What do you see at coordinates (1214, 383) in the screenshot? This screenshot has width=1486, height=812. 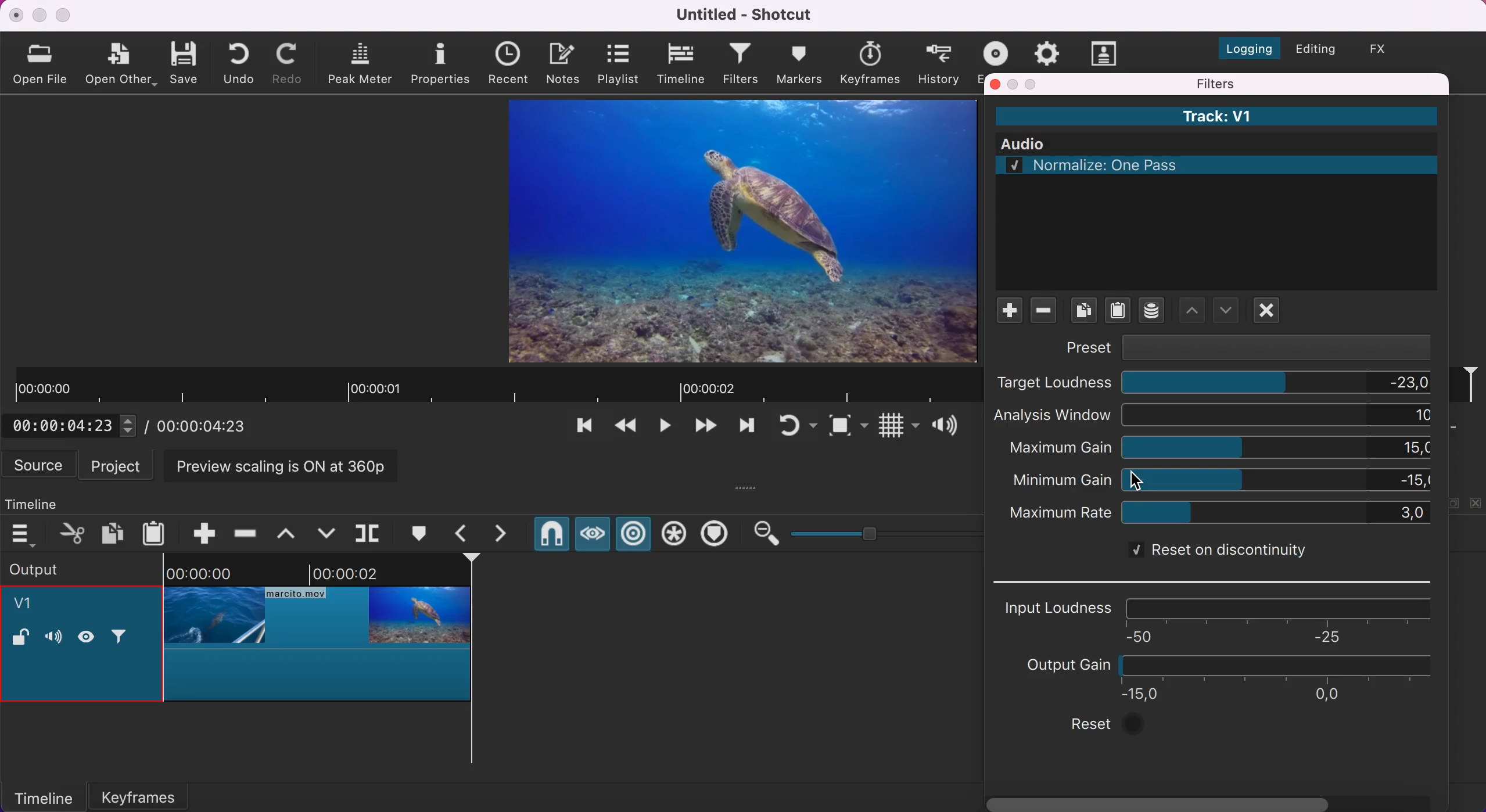 I see `target loudness` at bounding box center [1214, 383].